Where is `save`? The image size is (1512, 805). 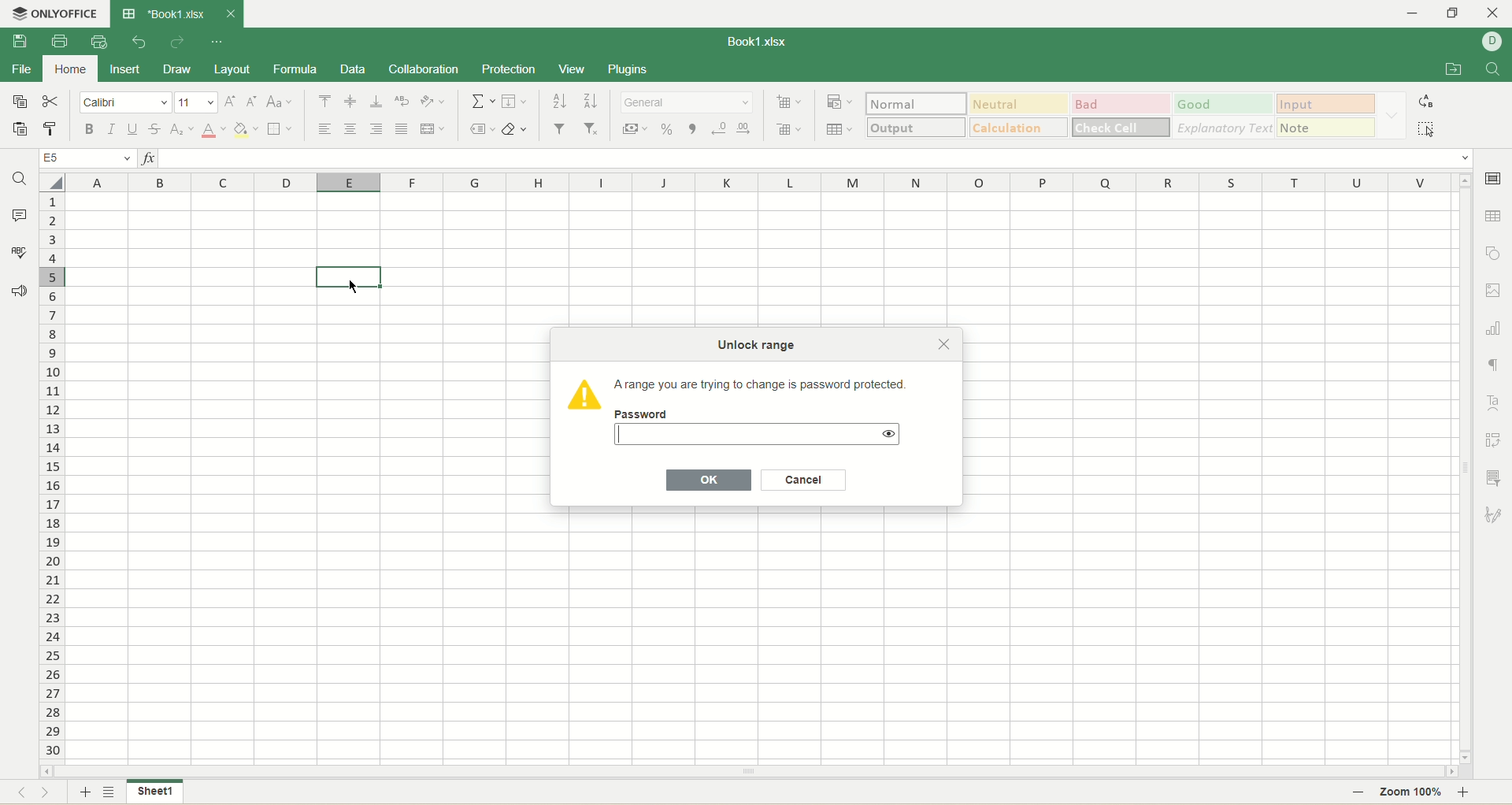
save is located at coordinates (20, 43).